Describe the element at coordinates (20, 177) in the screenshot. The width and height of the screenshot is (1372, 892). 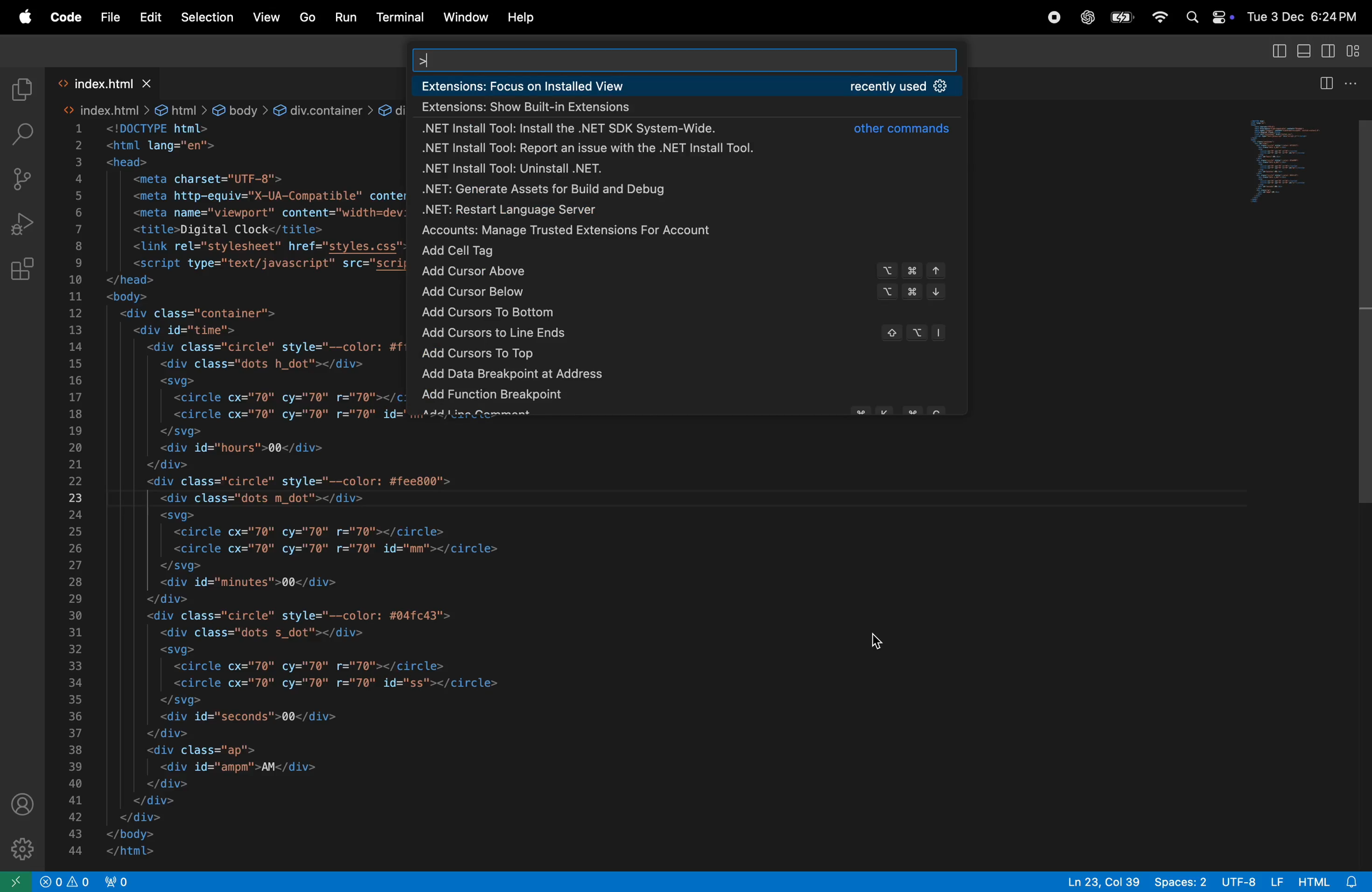
I see `source control` at that location.